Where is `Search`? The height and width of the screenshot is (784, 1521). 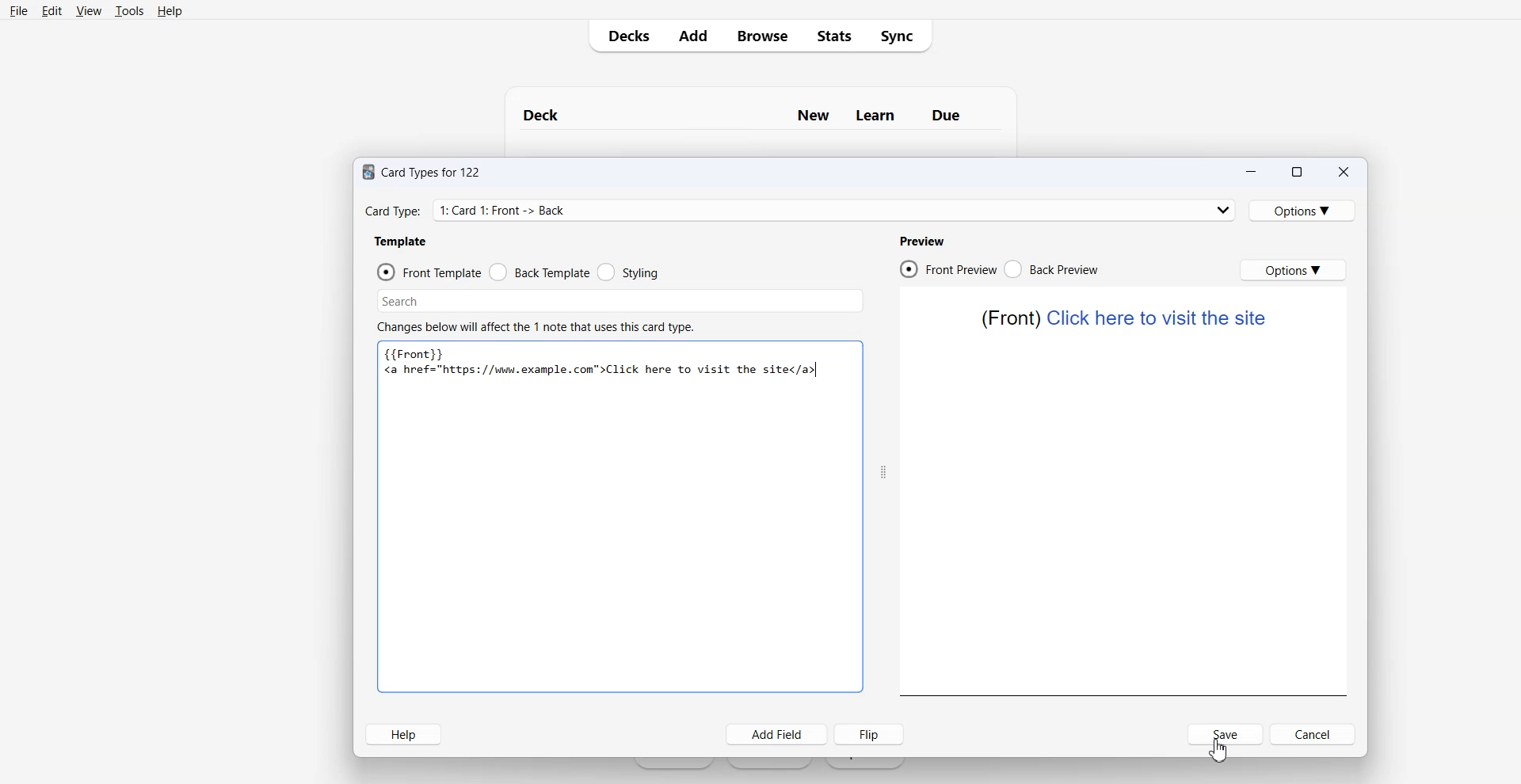 Search is located at coordinates (619, 303).